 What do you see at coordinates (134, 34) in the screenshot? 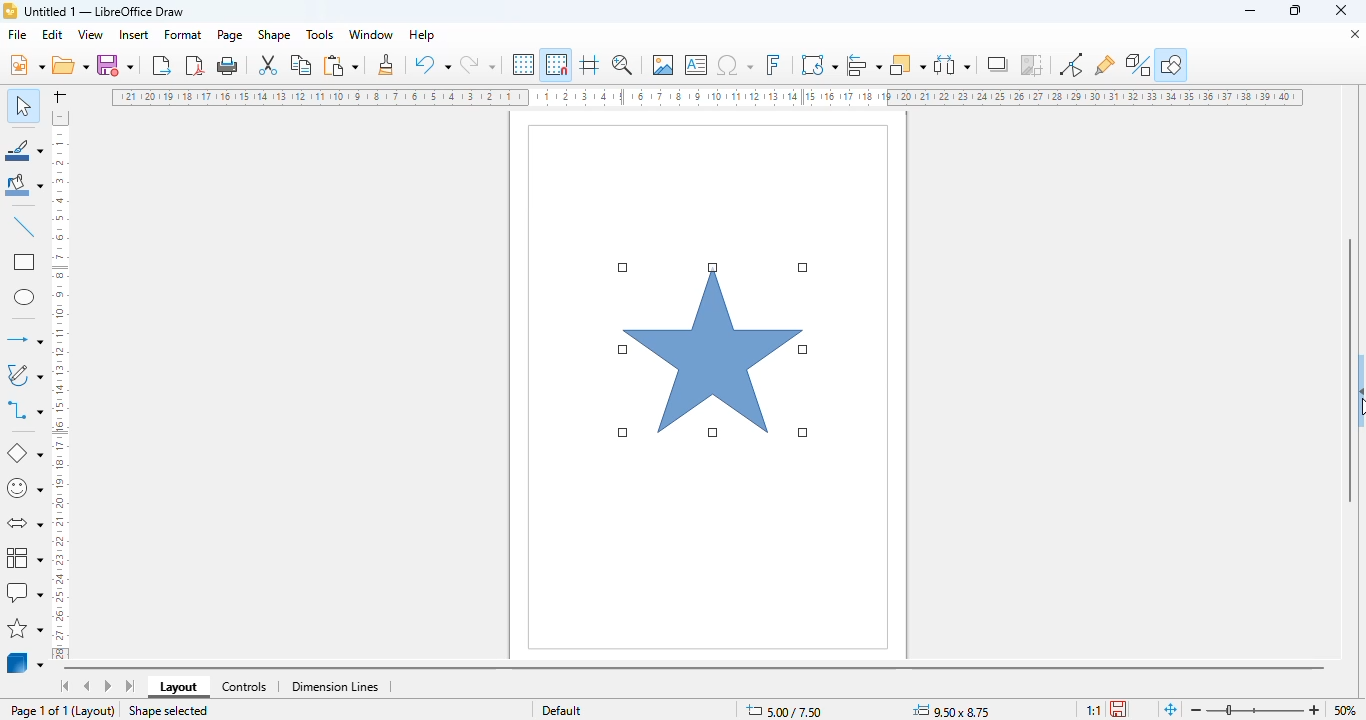
I see `insert` at bounding box center [134, 34].